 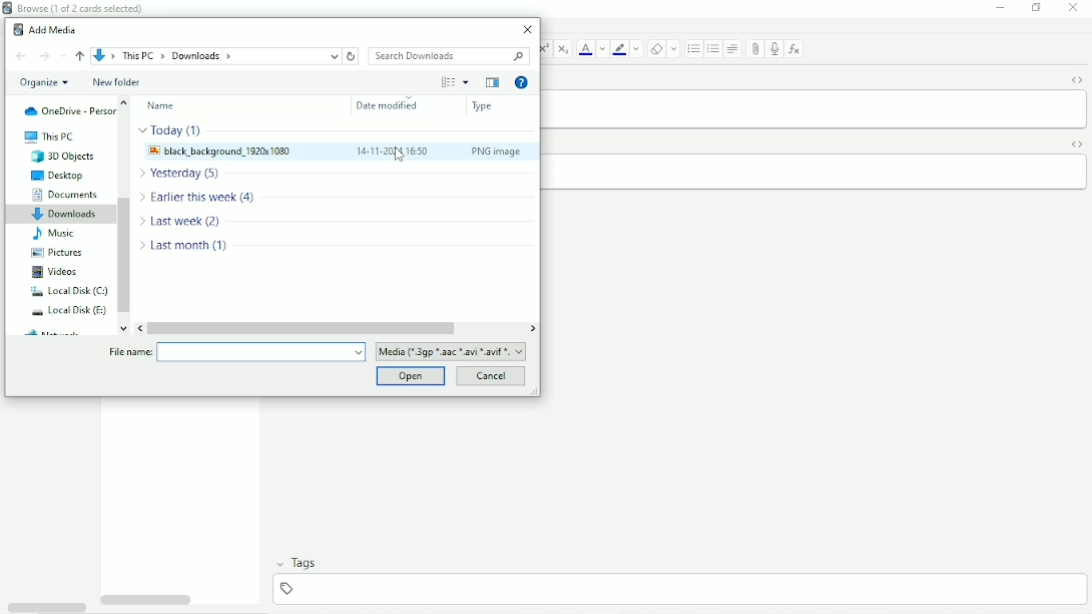 What do you see at coordinates (585, 50) in the screenshot?
I see `Text color` at bounding box center [585, 50].